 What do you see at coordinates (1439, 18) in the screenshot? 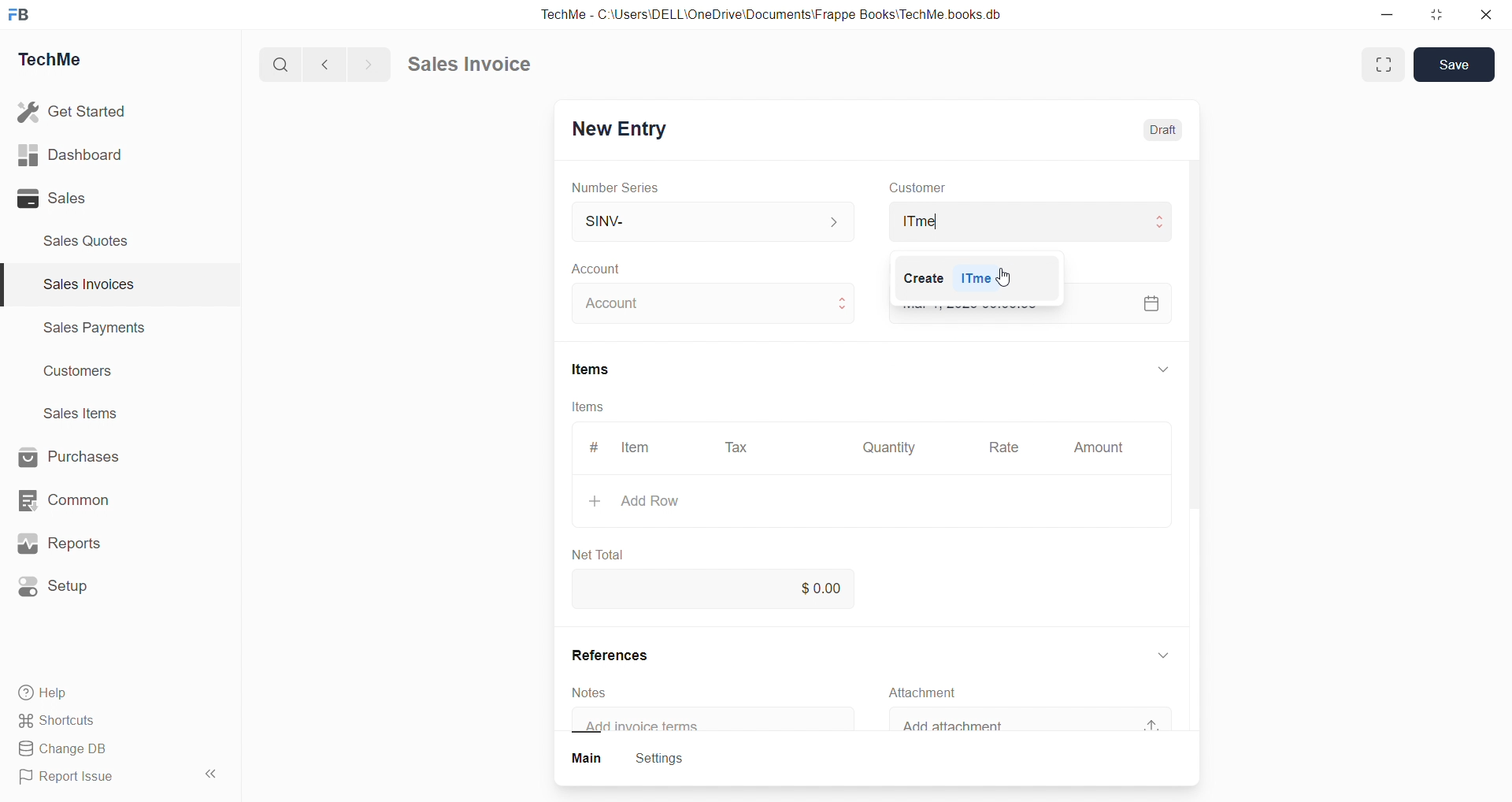
I see `Maximize` at bounding box center [1439, 18].